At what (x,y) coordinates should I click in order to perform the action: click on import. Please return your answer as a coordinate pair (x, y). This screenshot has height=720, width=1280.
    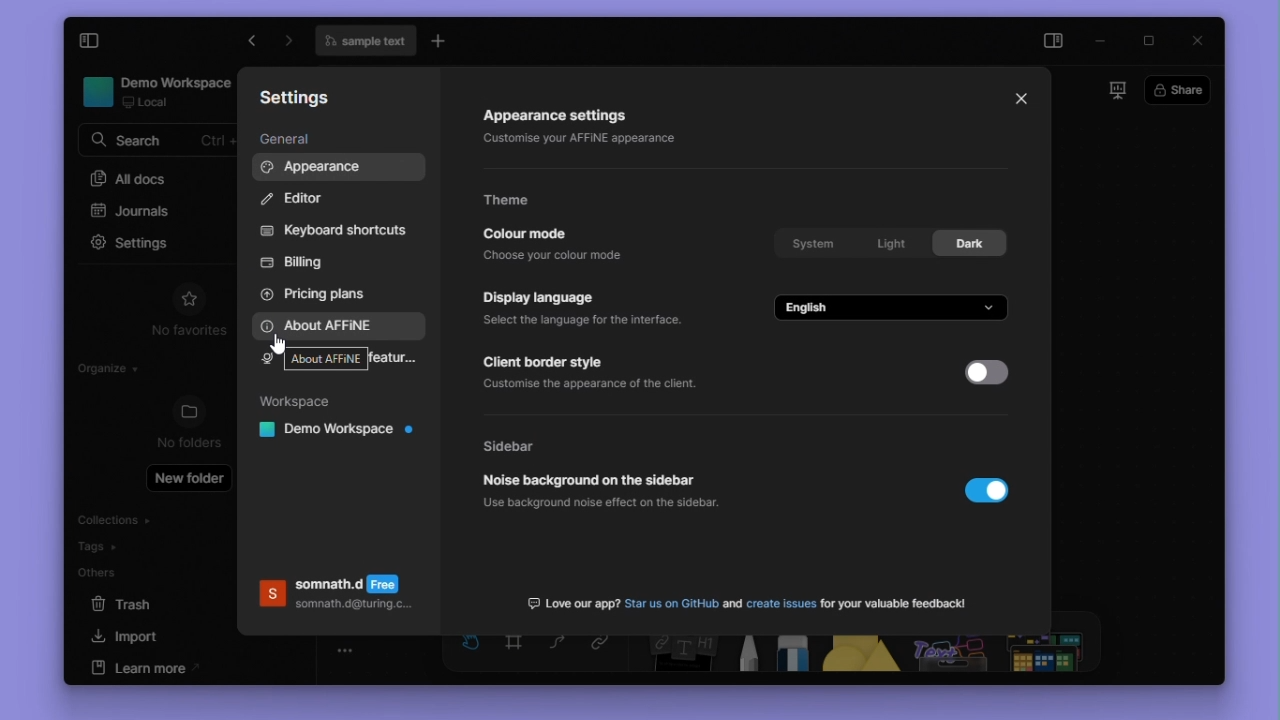
    Looking at the image, I should click on (133, 637).